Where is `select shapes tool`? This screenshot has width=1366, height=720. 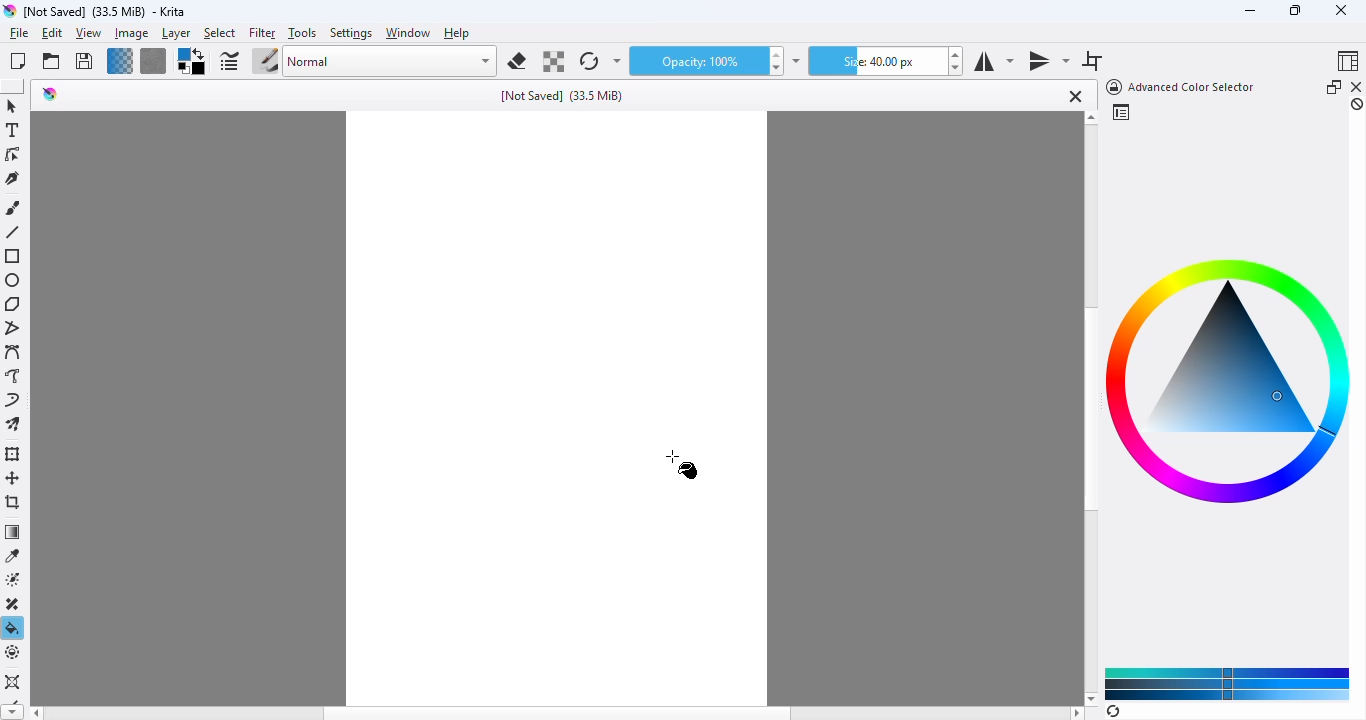 select shapes tool is located at coordinates (12, 106).